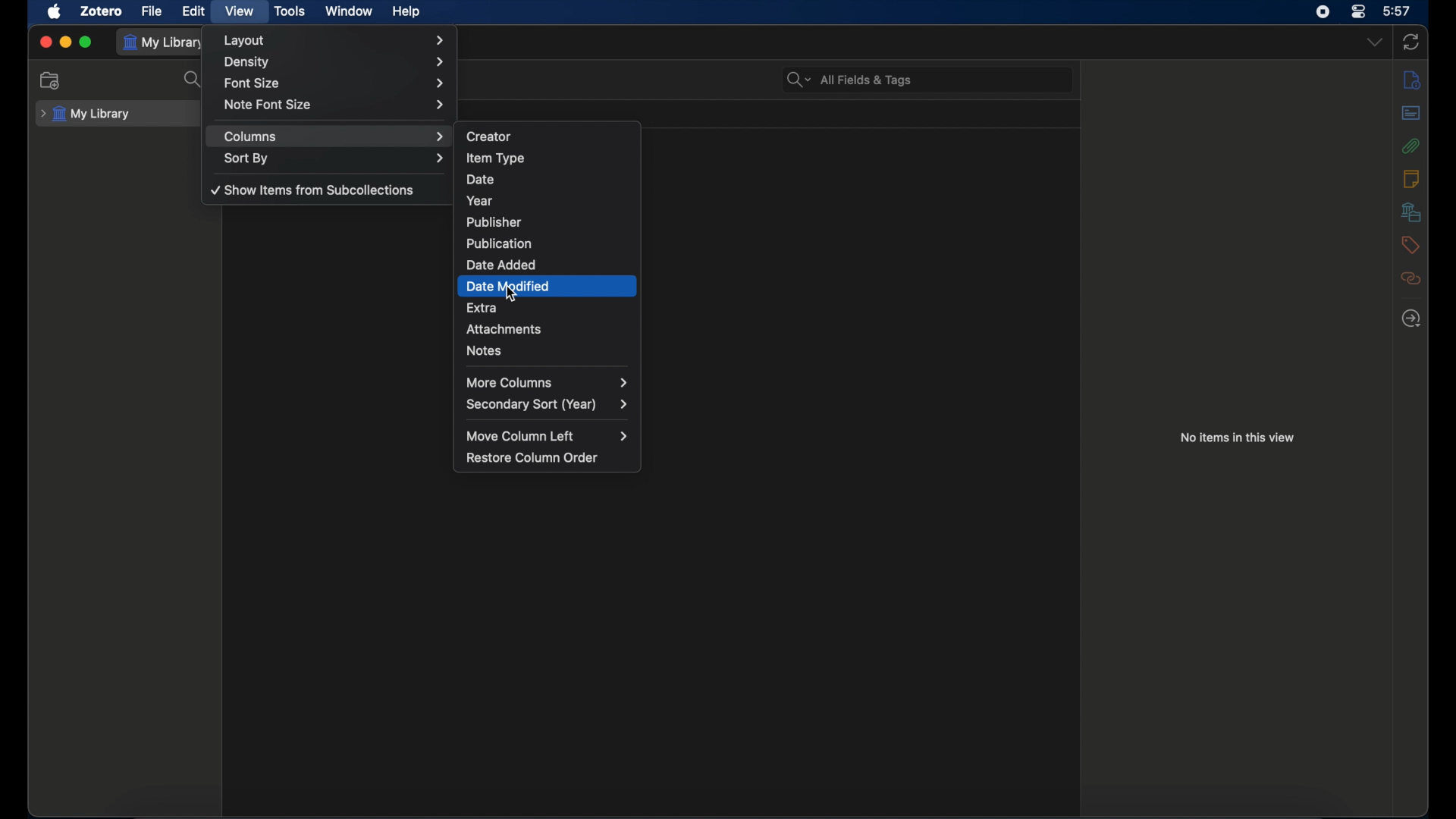  Describe the element at coordinates (533, 457) in the screenshot. I see `restore column order` at that location.